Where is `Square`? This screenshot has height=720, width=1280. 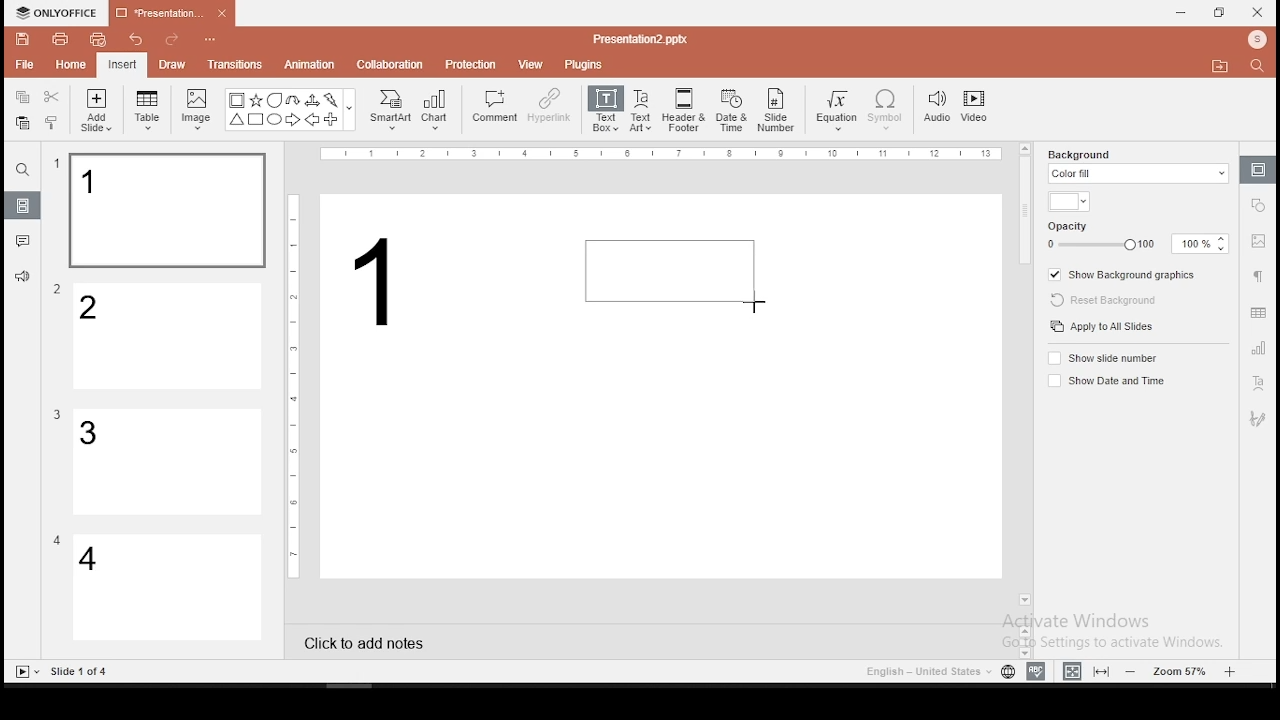
Square is located at coordinates (255, 121).